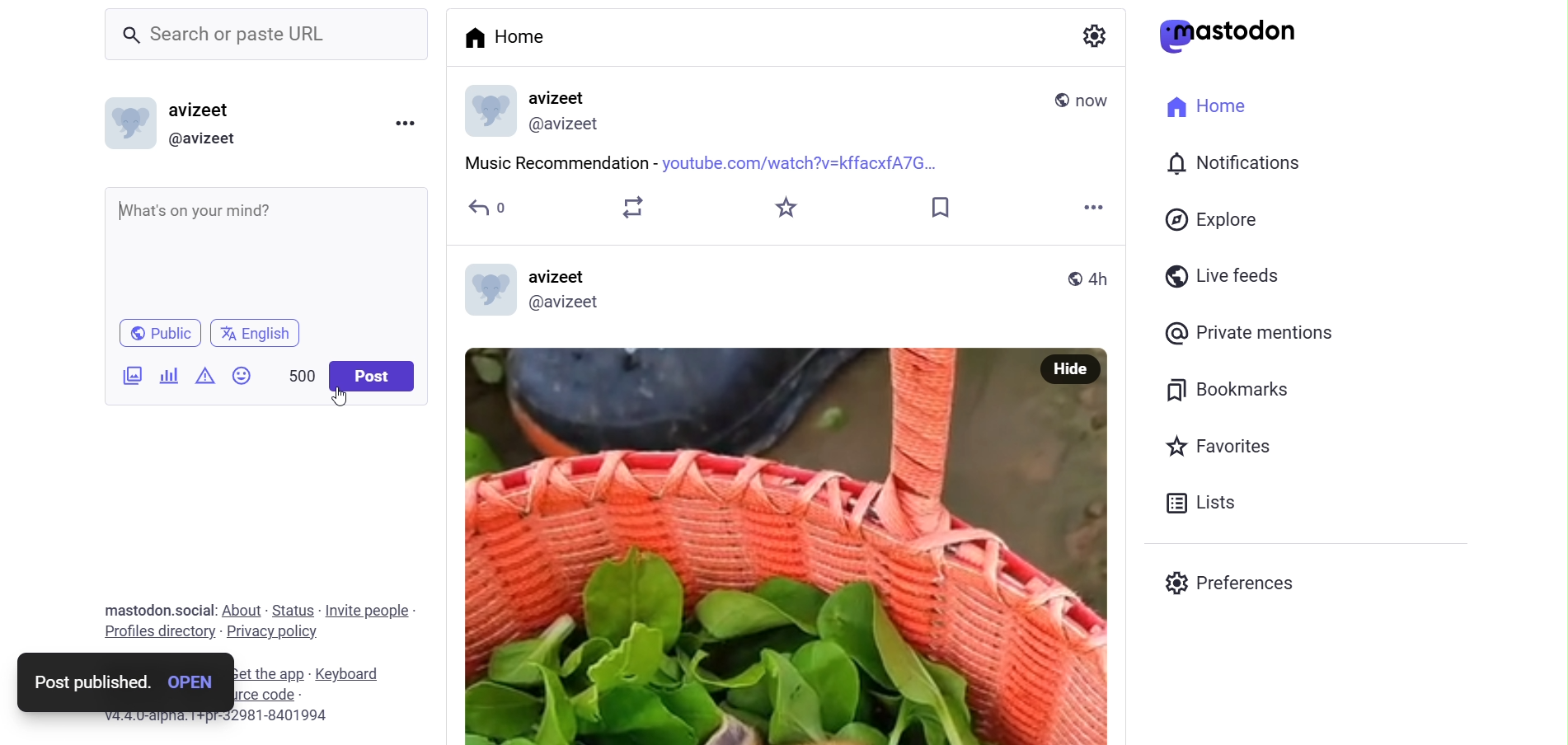  I want to click on Home, so click(1210, 105).